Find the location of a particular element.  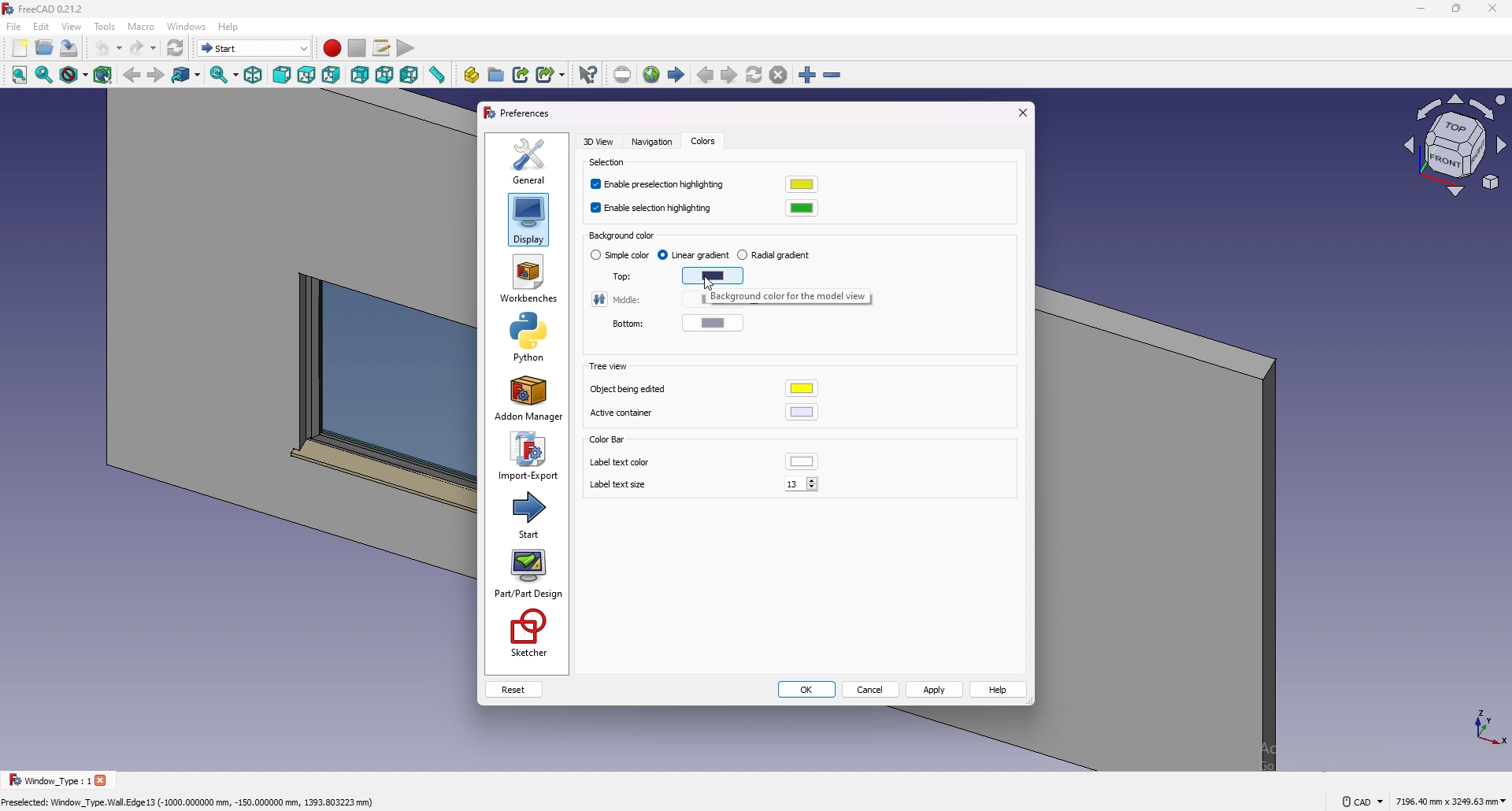

top is located at coordinates (306, 76).